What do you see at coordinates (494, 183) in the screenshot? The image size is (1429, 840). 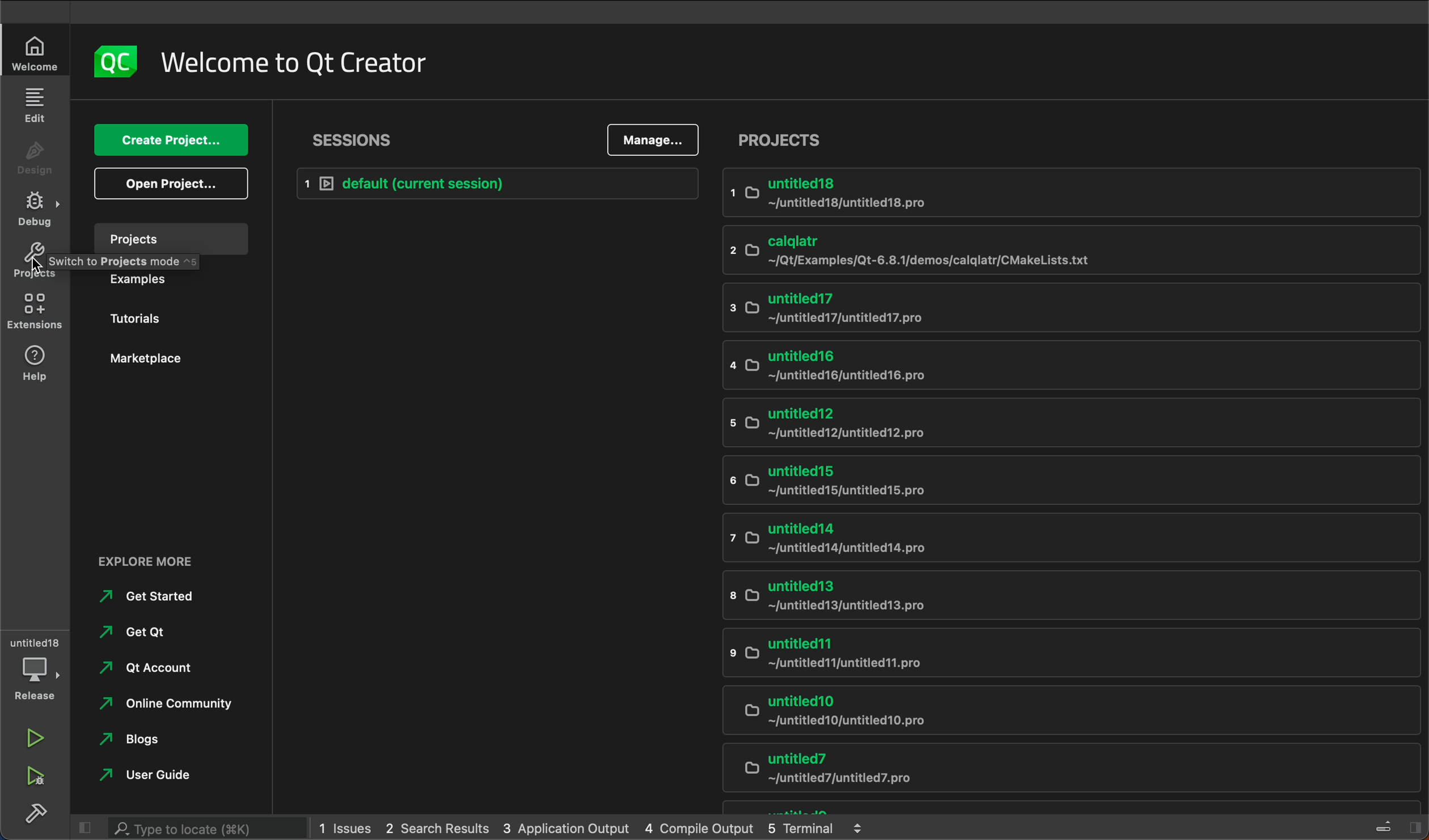 I see `current session` at bounding box center [494, 183].